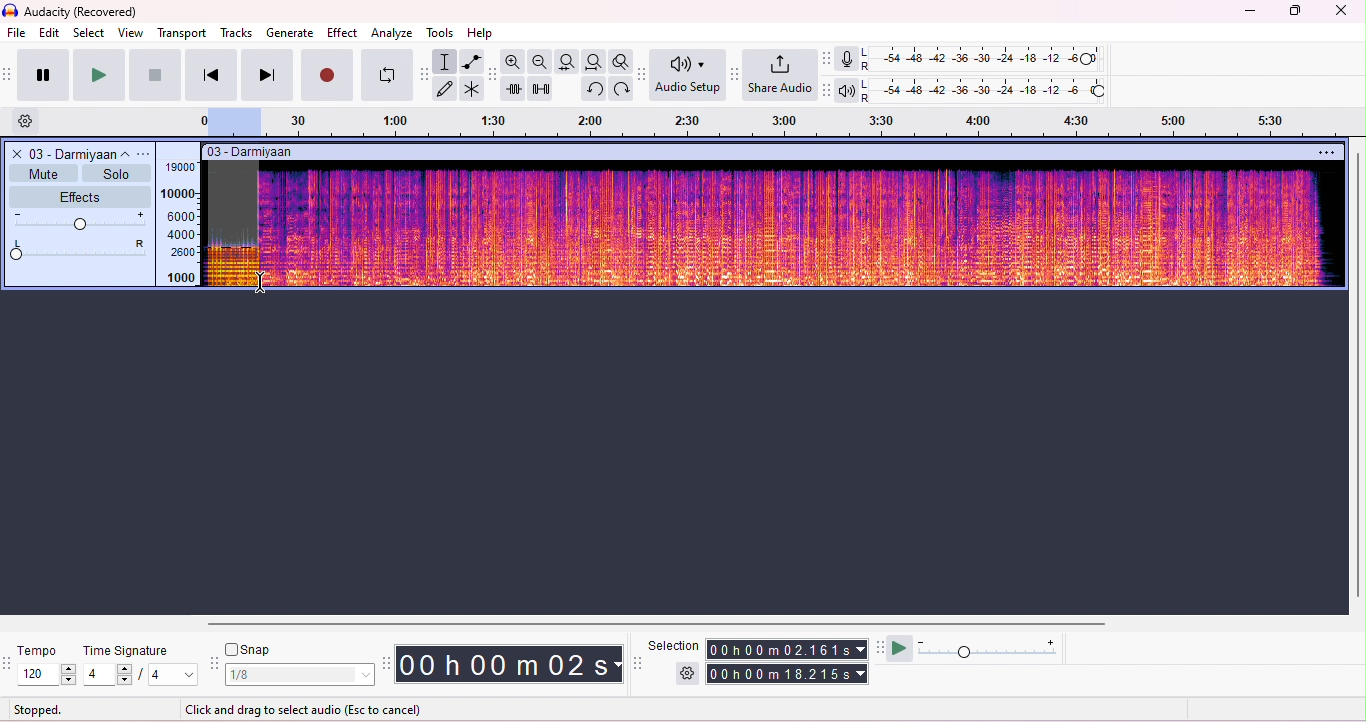  I want to click on tracks, so click(237, 34).